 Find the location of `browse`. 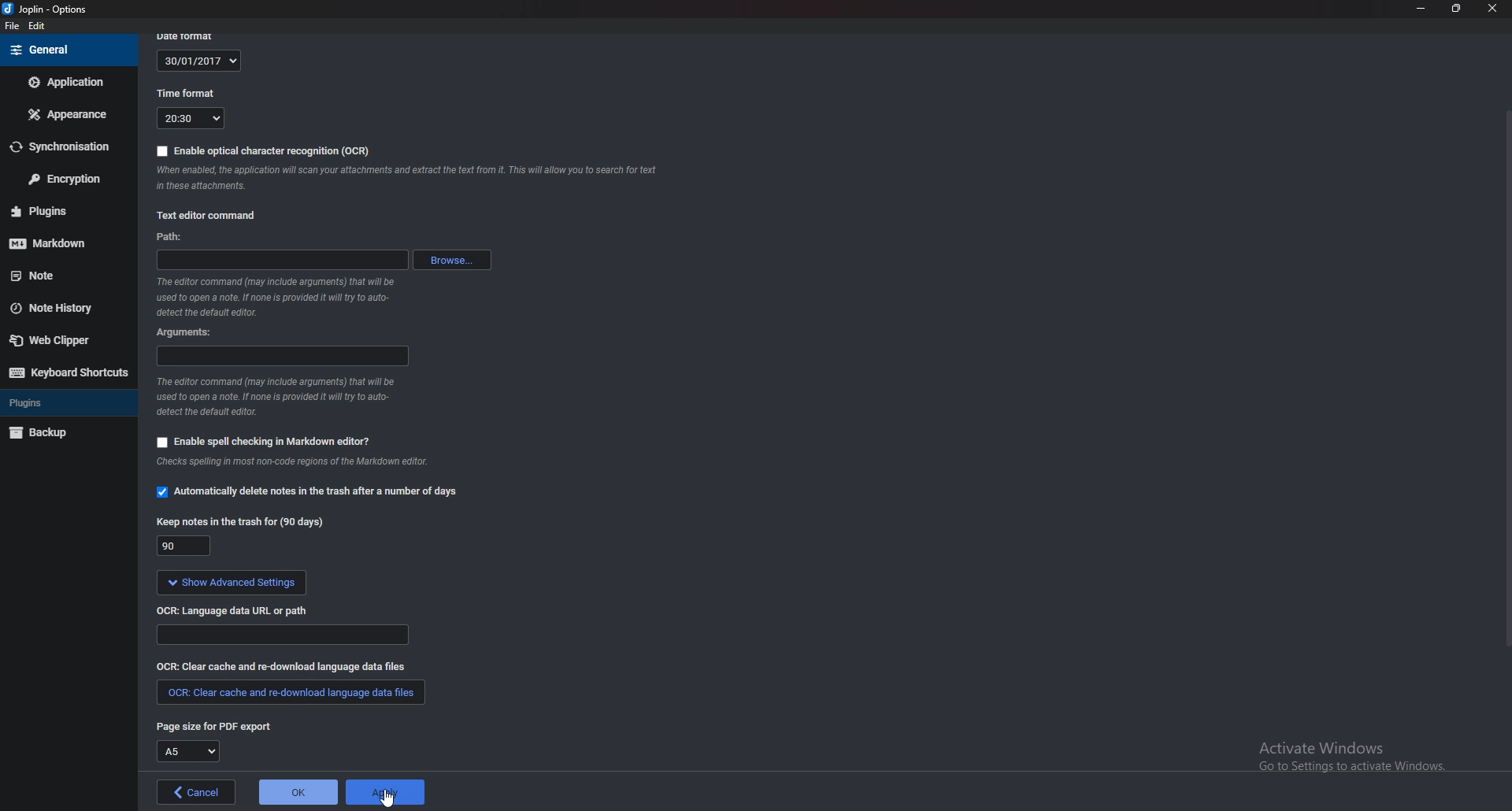

browse is located at coordinates (450, 260).